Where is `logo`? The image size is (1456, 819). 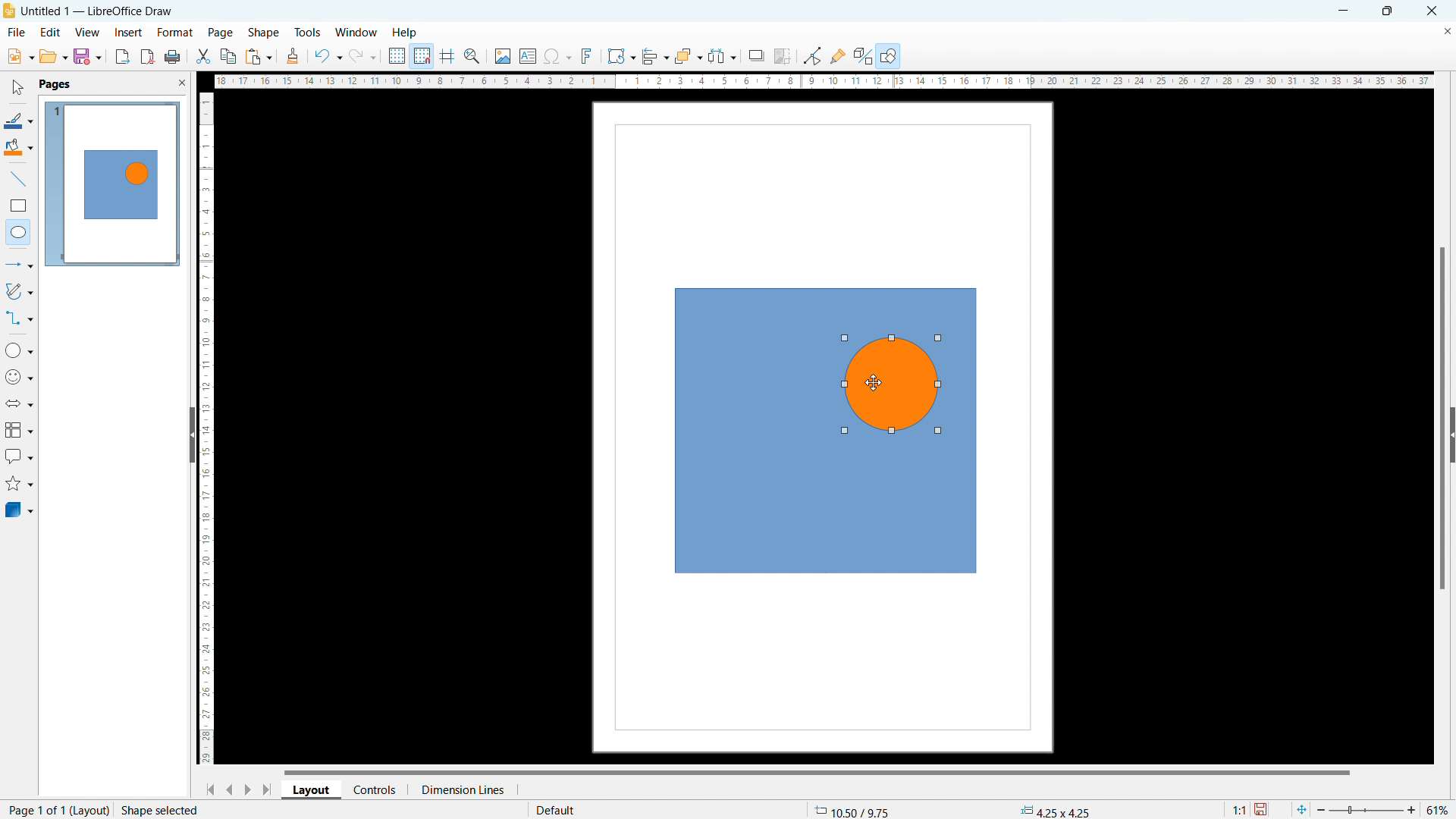 logo is located at coordinates (9, 11).